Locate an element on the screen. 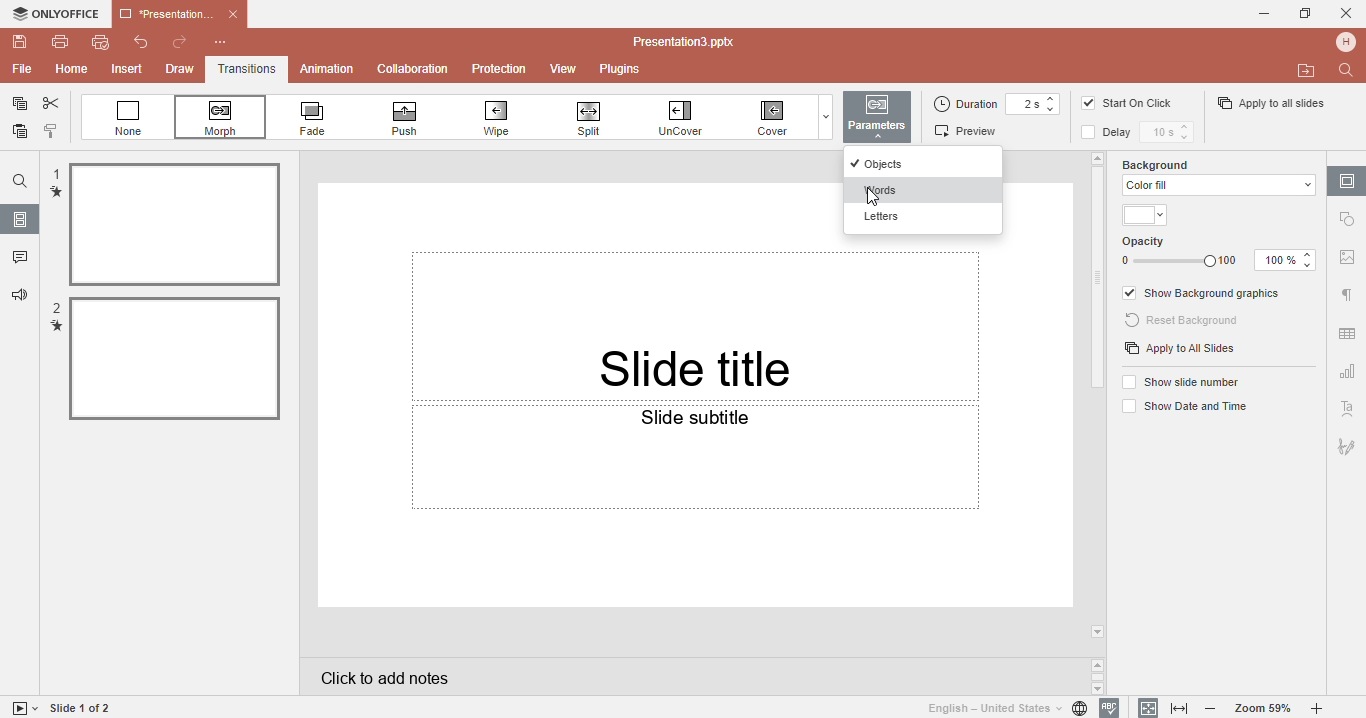 This screenshot has width=1366, height=718. Start on click is located at coordinates (1138, 103).